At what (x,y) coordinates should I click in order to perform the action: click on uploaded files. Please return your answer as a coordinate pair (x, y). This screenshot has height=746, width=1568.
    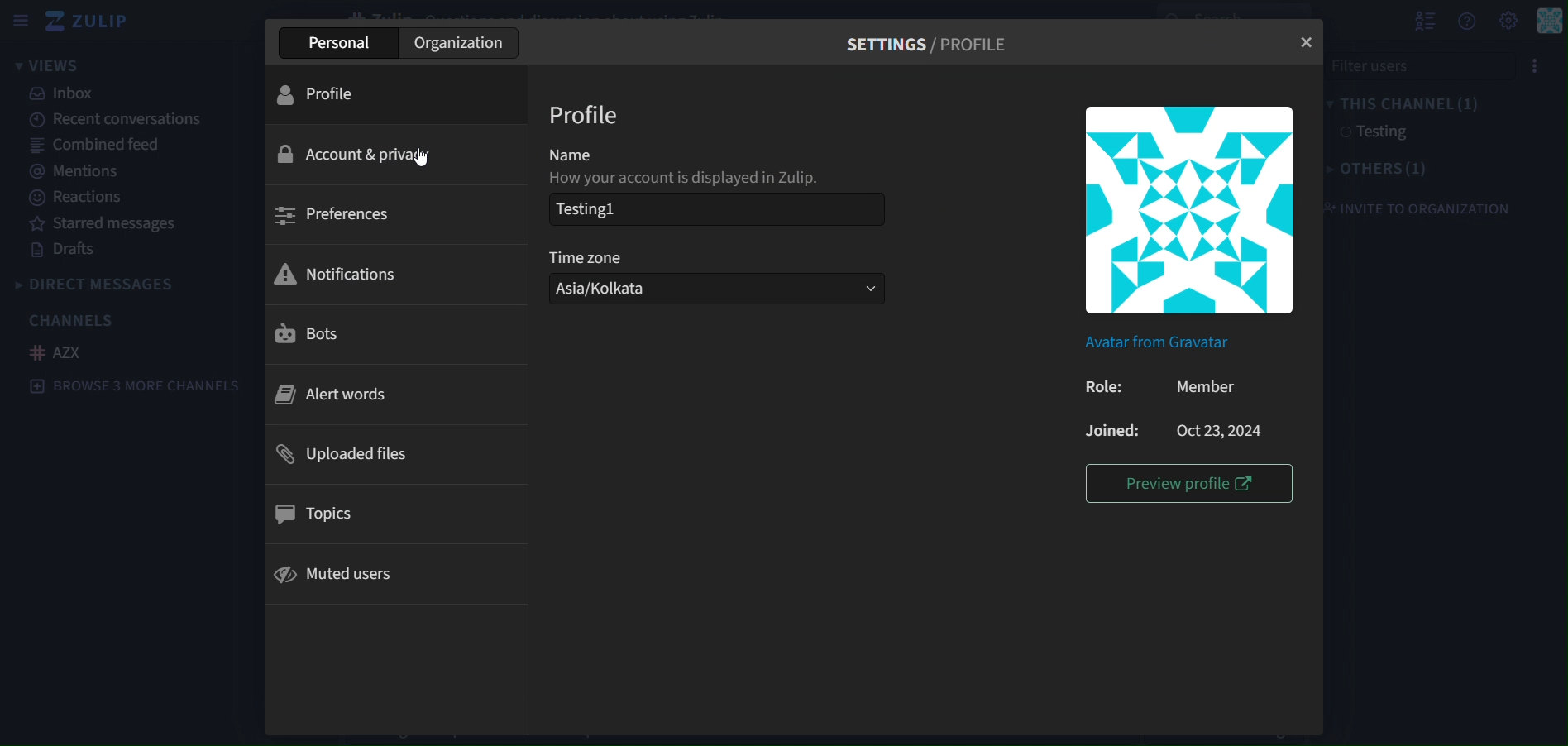
    Looking at the image, I should click on (345, 452).